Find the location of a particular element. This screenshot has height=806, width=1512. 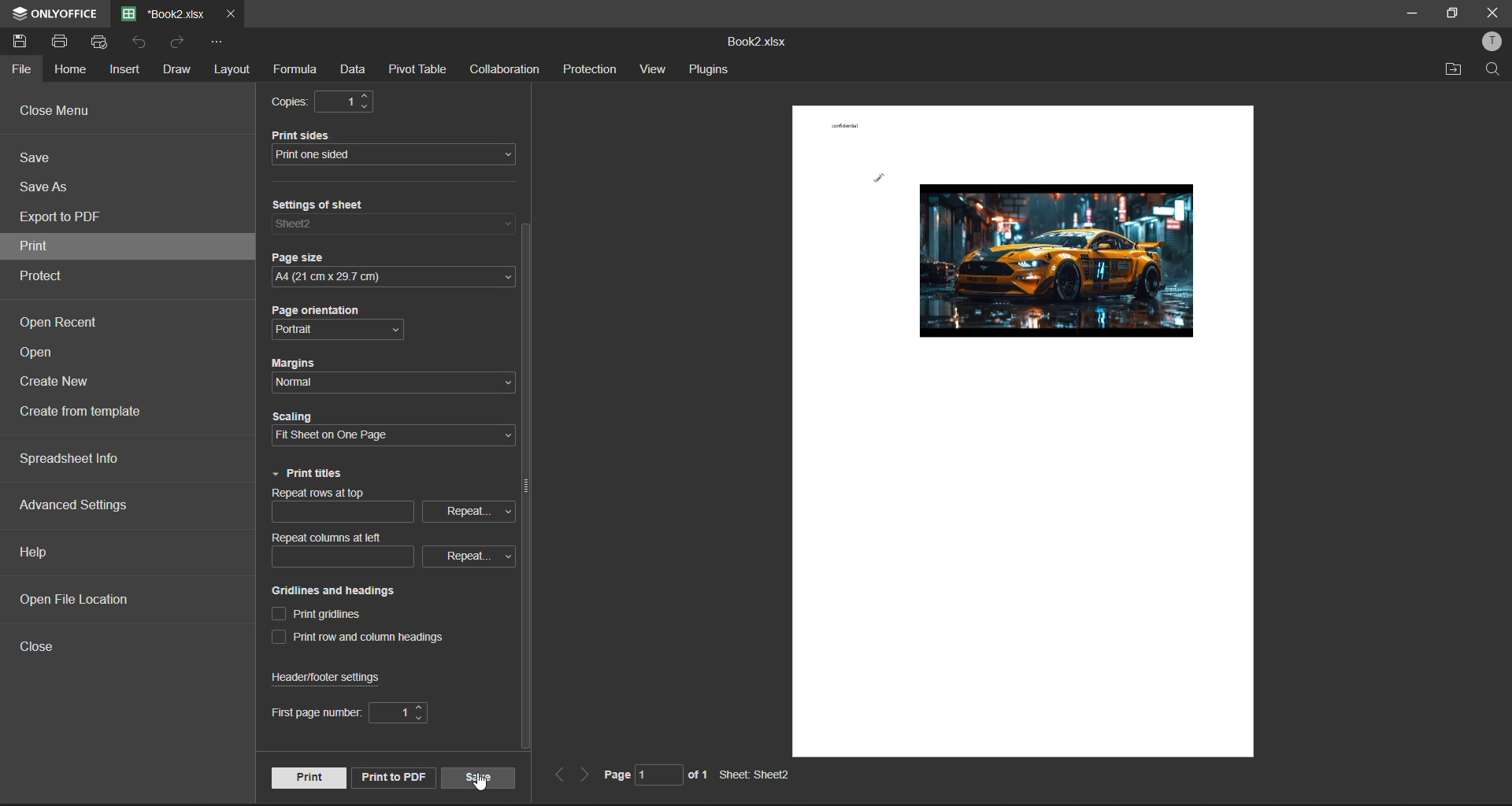

print row and column headings is located at coordinates (365, 638).